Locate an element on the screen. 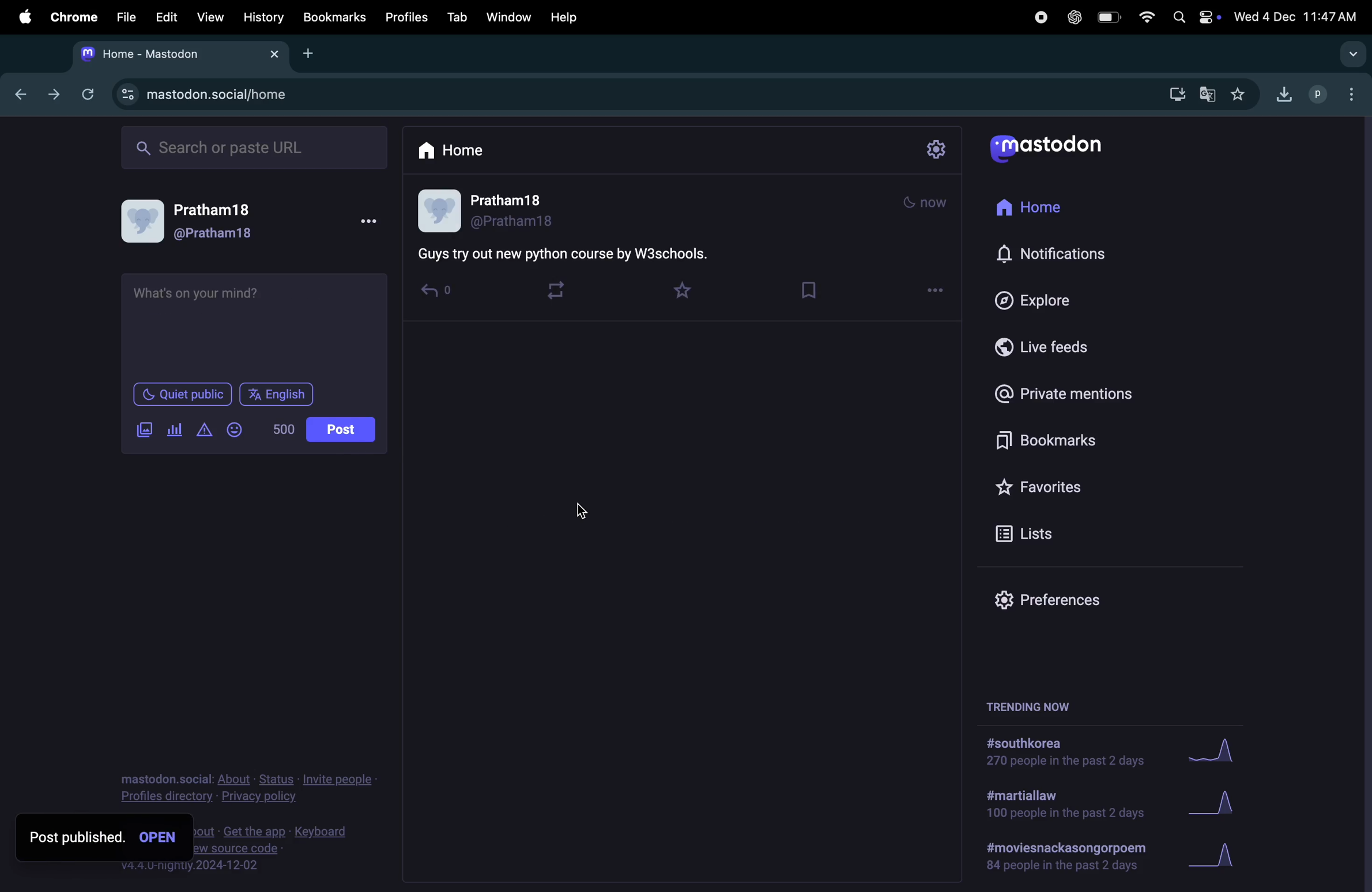 This screenshot has width=1372, height=892. favourites is located at coordinates (1073, 483).